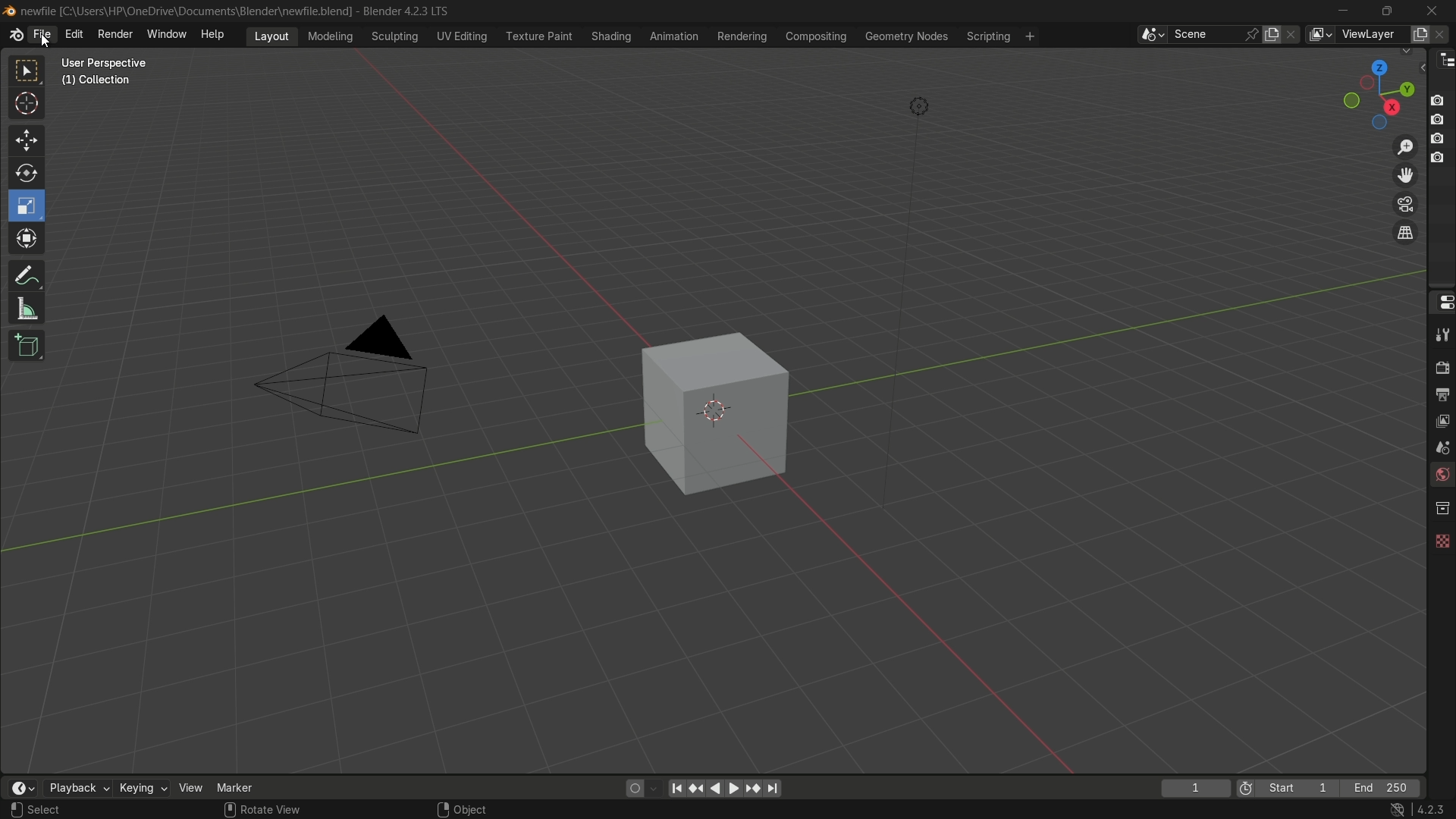  I want to click on edit menu, so click(74, 34).